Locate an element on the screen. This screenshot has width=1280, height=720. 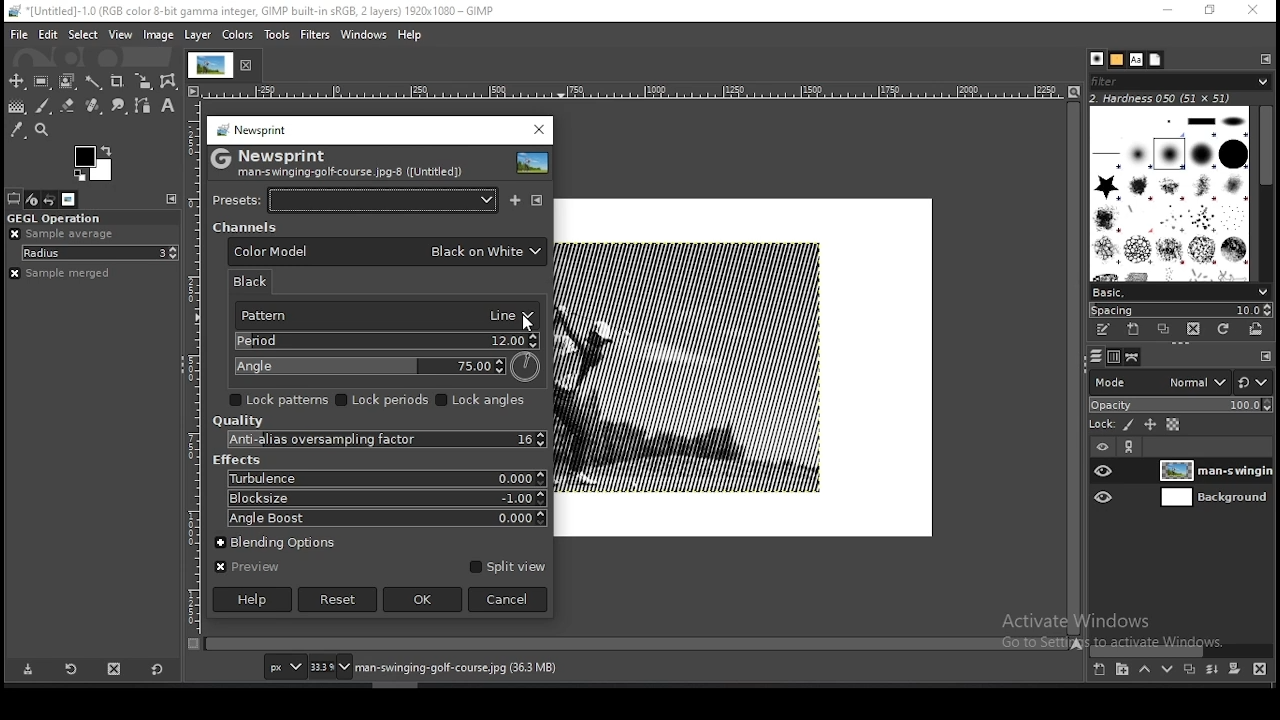
effect preview is located at coordinates (535, 165).